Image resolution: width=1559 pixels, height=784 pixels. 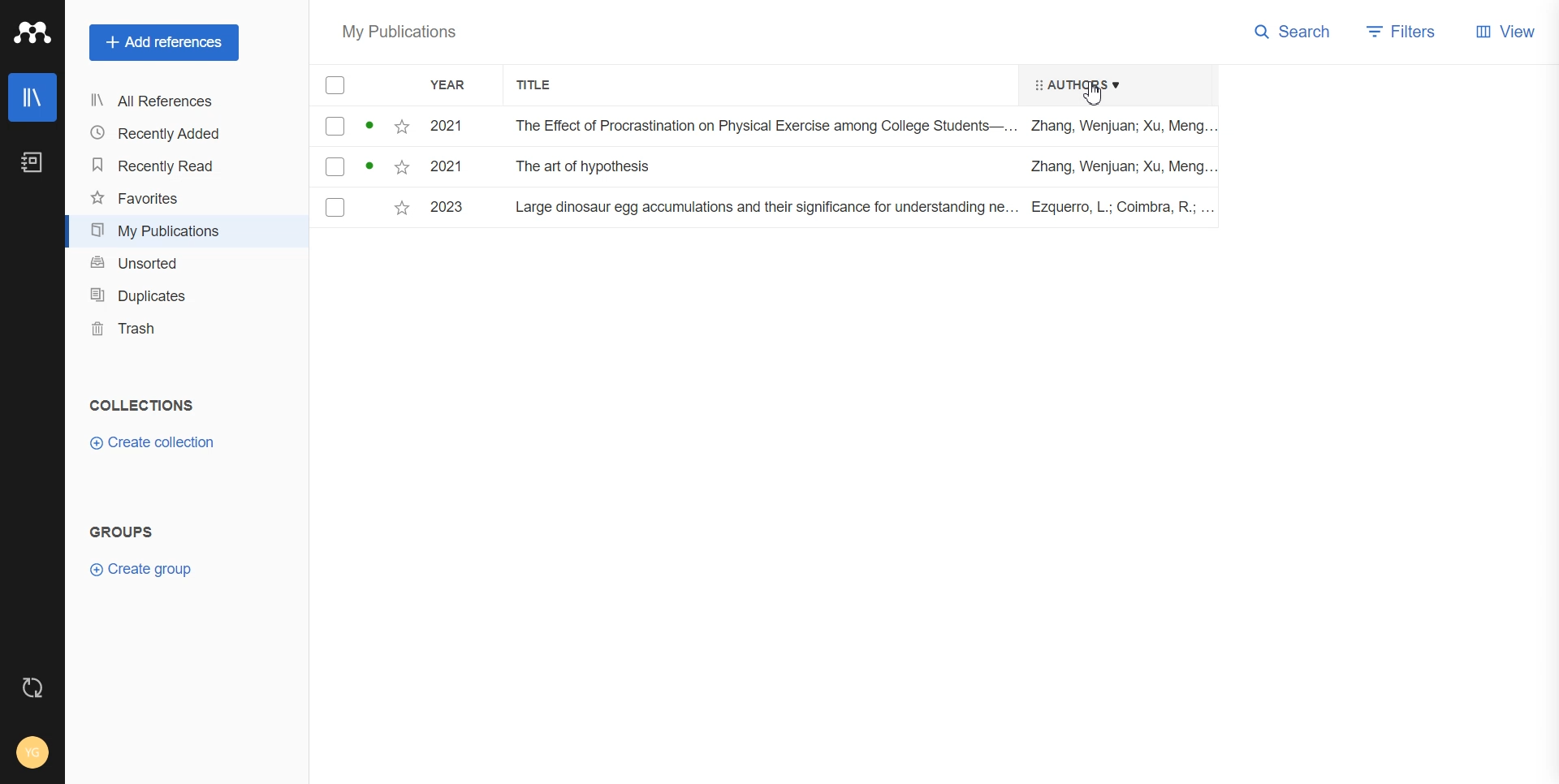 I want to click on Auto sync, so click(x=31, y=687).